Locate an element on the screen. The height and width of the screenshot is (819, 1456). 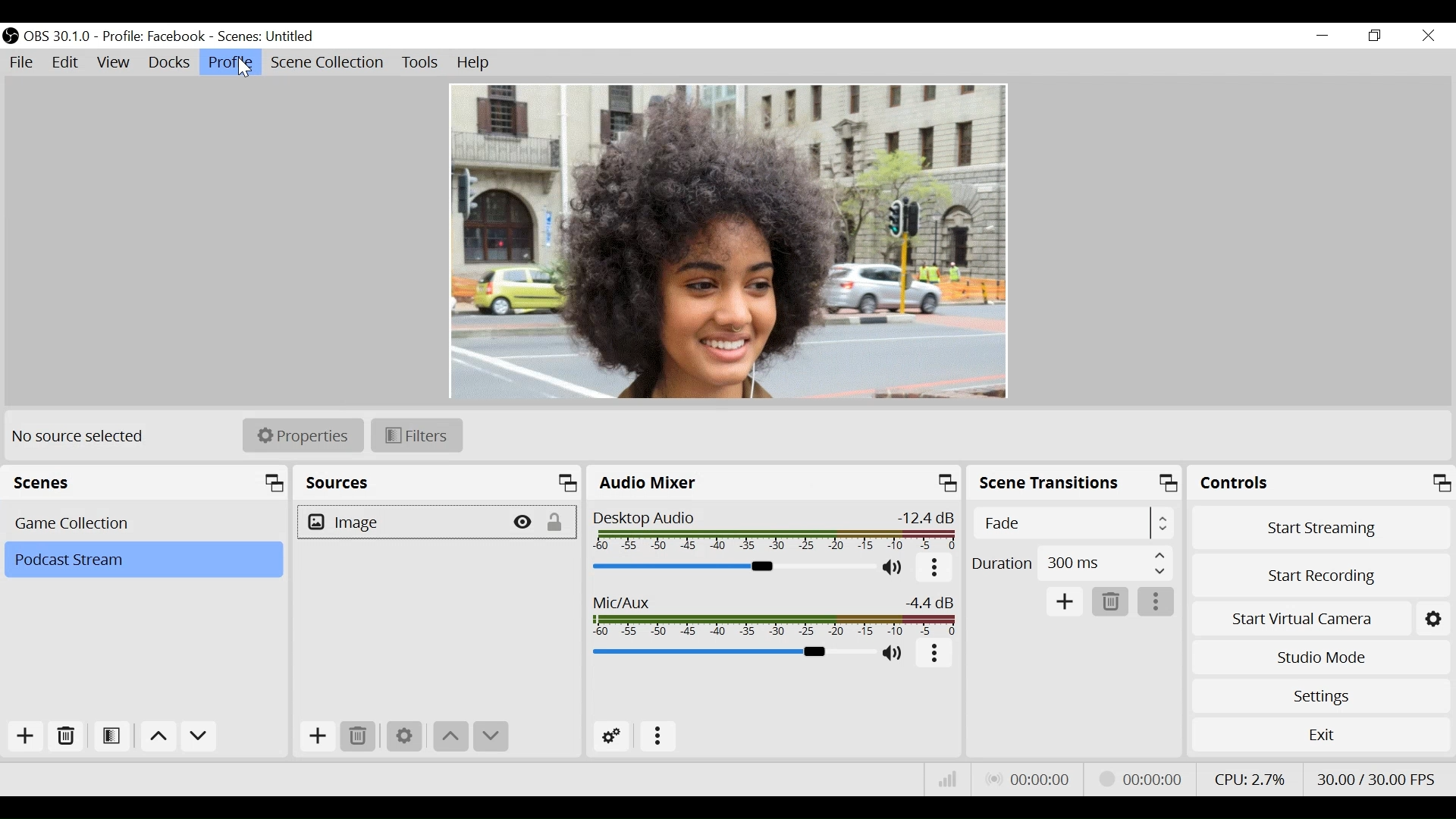
Settings is located at coordinates (406, 738).